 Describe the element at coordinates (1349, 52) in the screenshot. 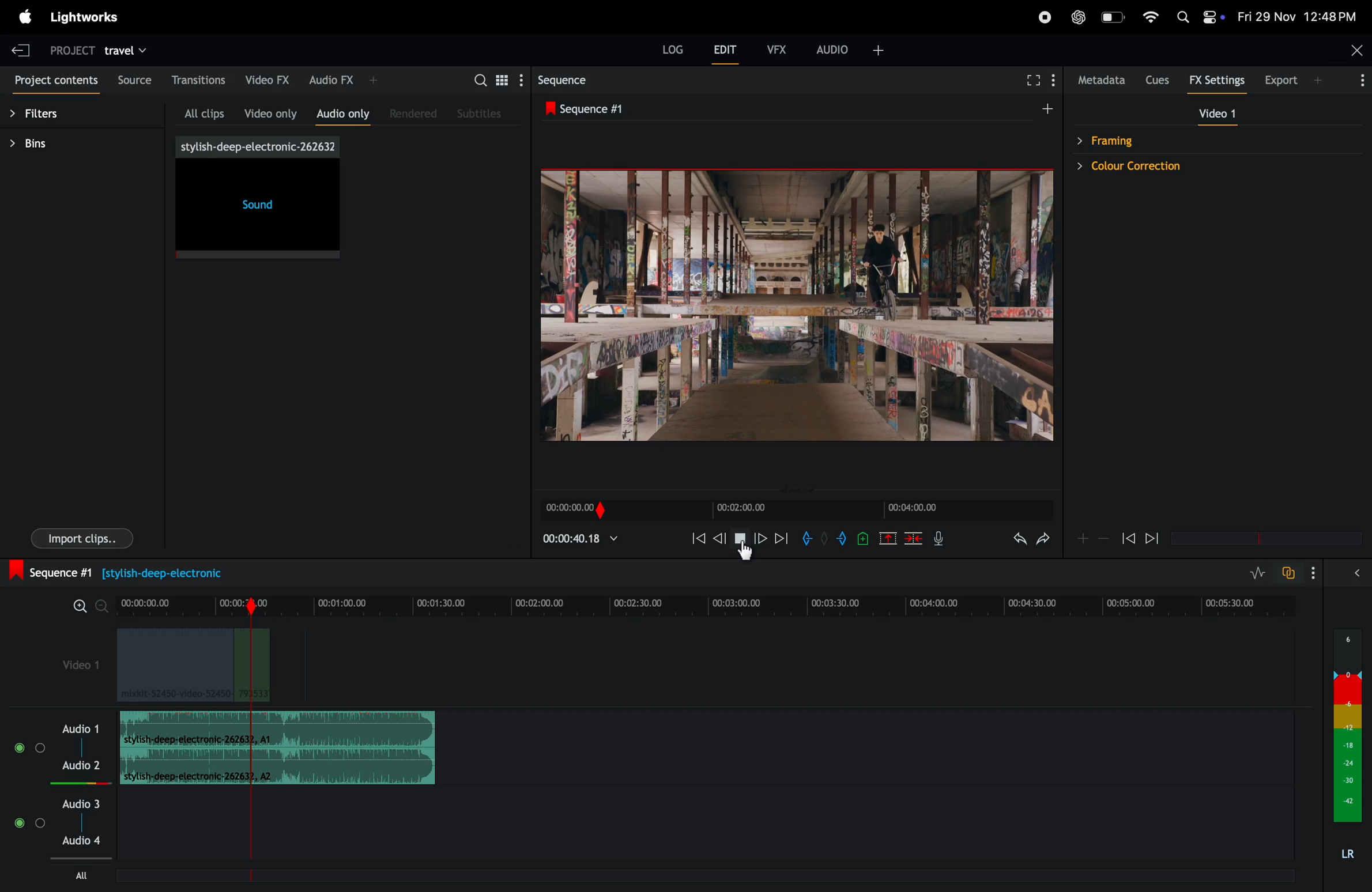

I see `close` at that location.